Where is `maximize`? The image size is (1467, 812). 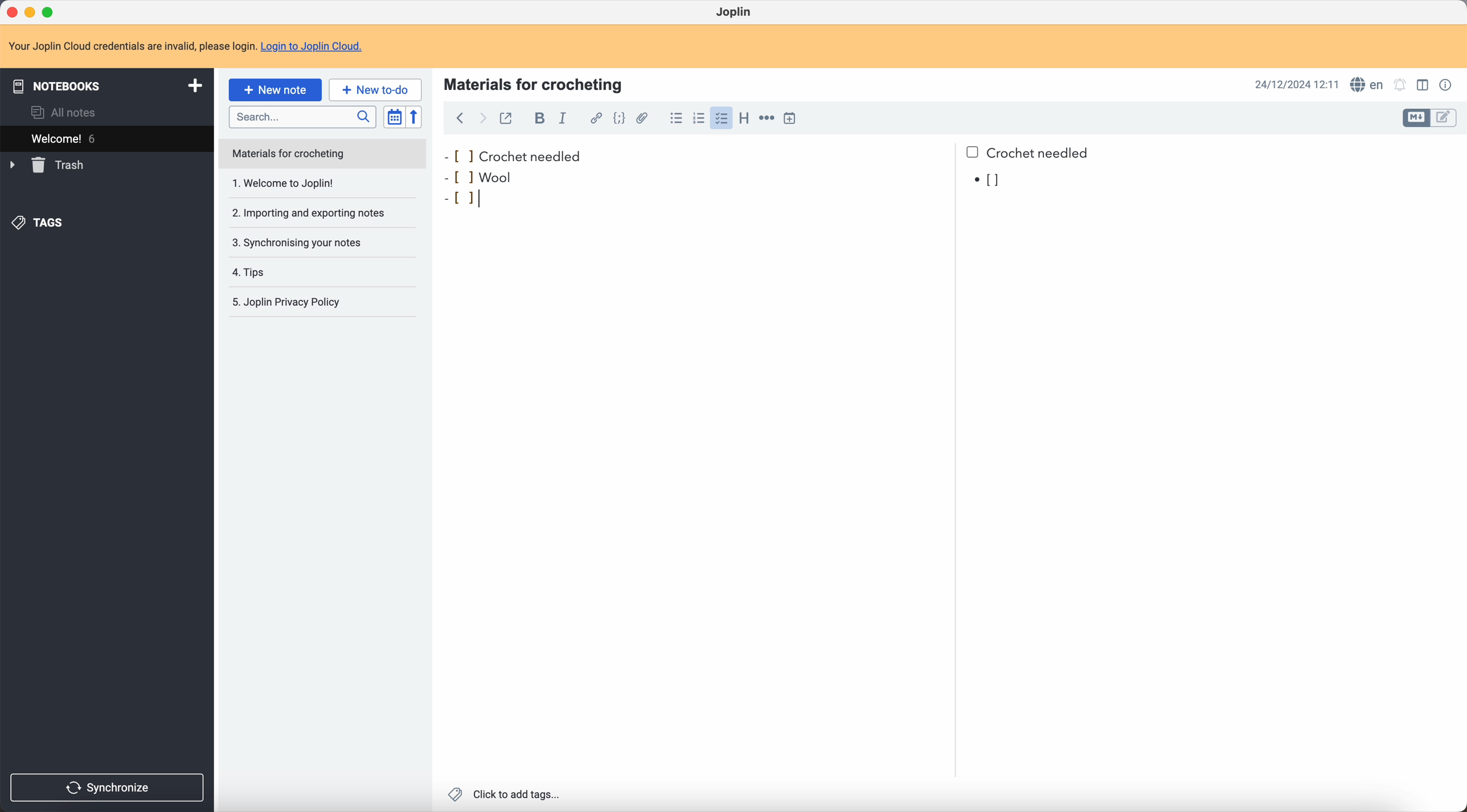
maximize is located at coordinates (51, 13).